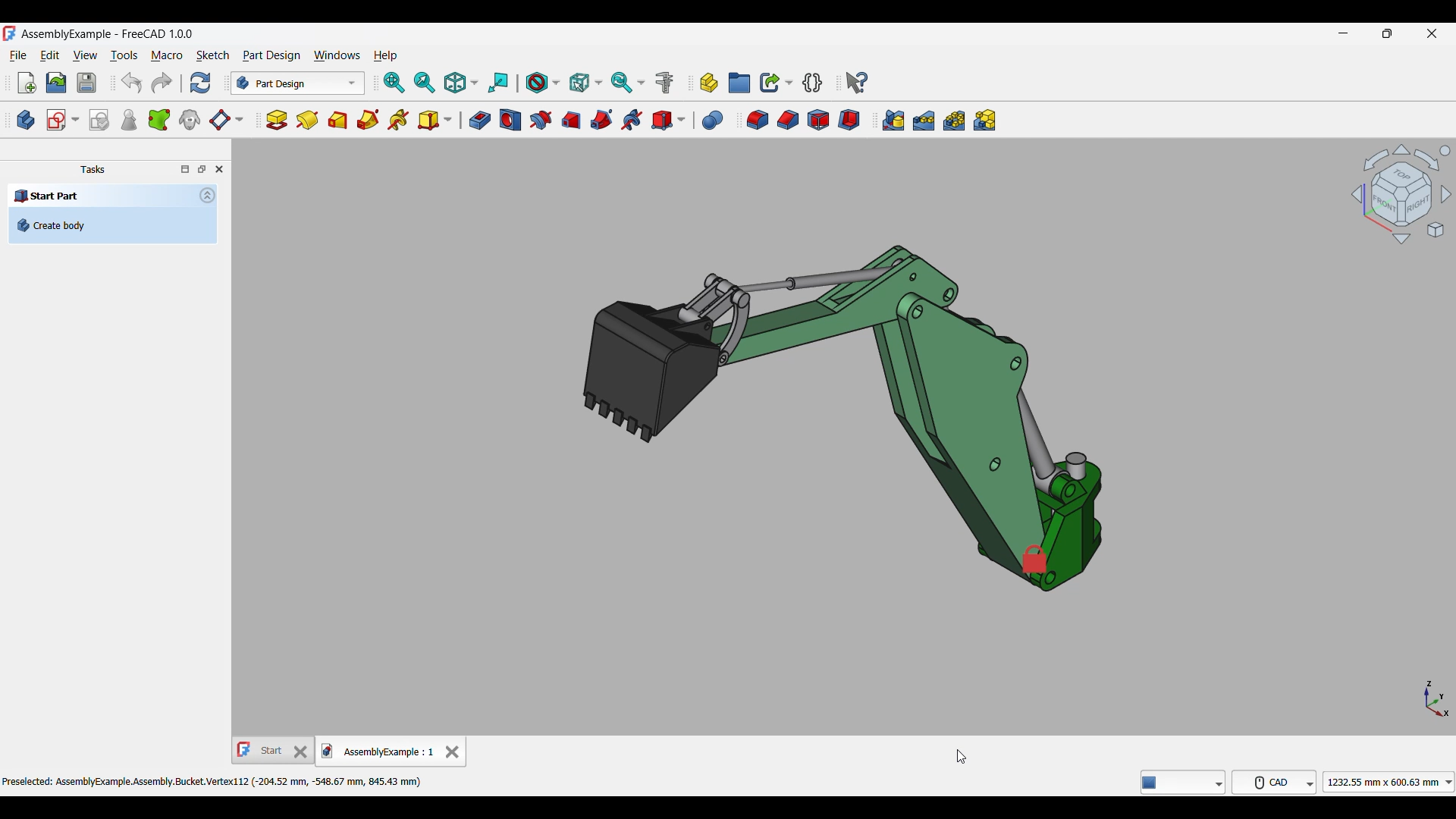 The image size is (1456, 819). Describe the element at coordinates (128, 120) in the screenshot. I see `Check geometry` at that location.